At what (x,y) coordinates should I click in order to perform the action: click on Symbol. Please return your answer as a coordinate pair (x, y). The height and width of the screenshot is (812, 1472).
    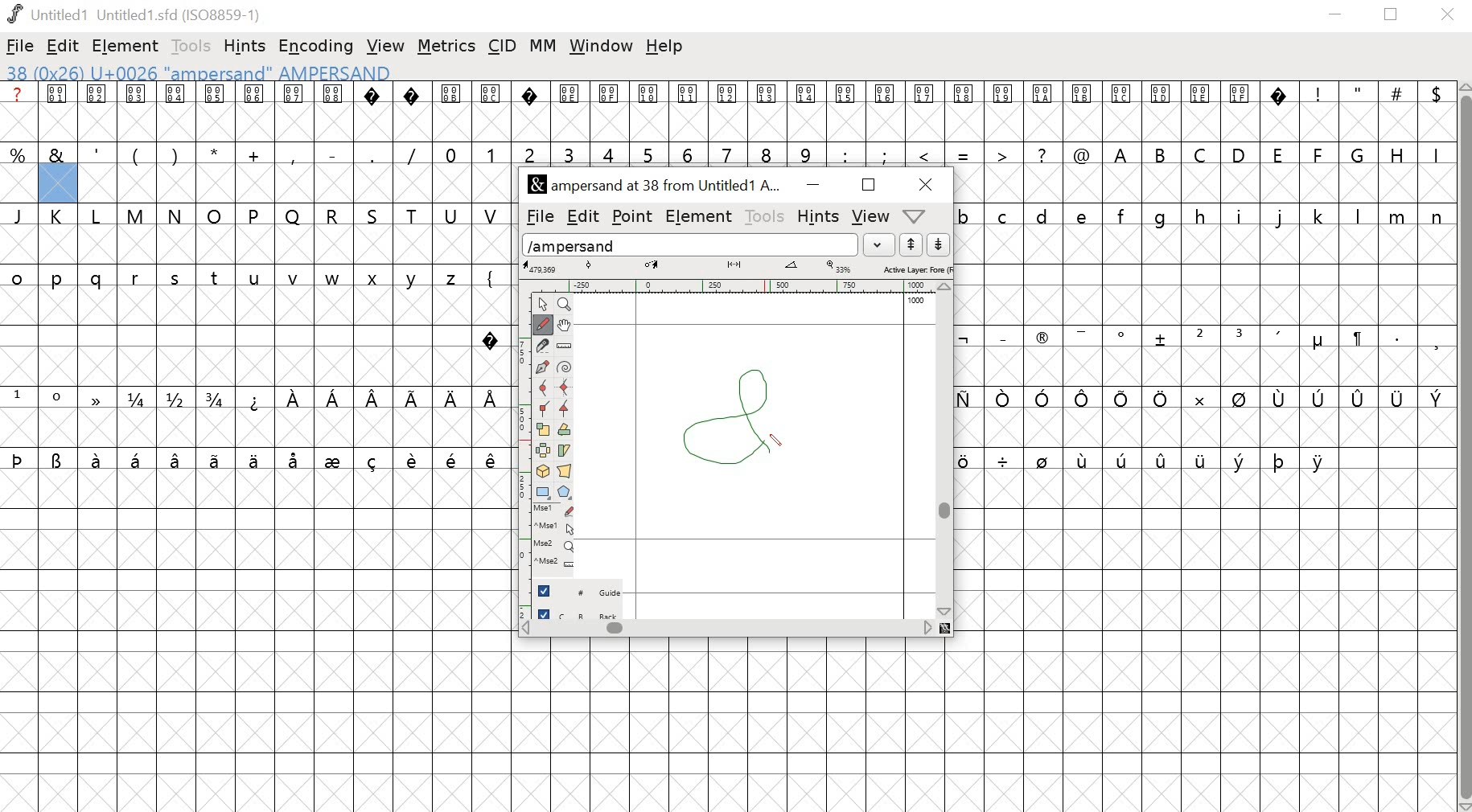
    Looking at the image, I should click on (1042, 340).